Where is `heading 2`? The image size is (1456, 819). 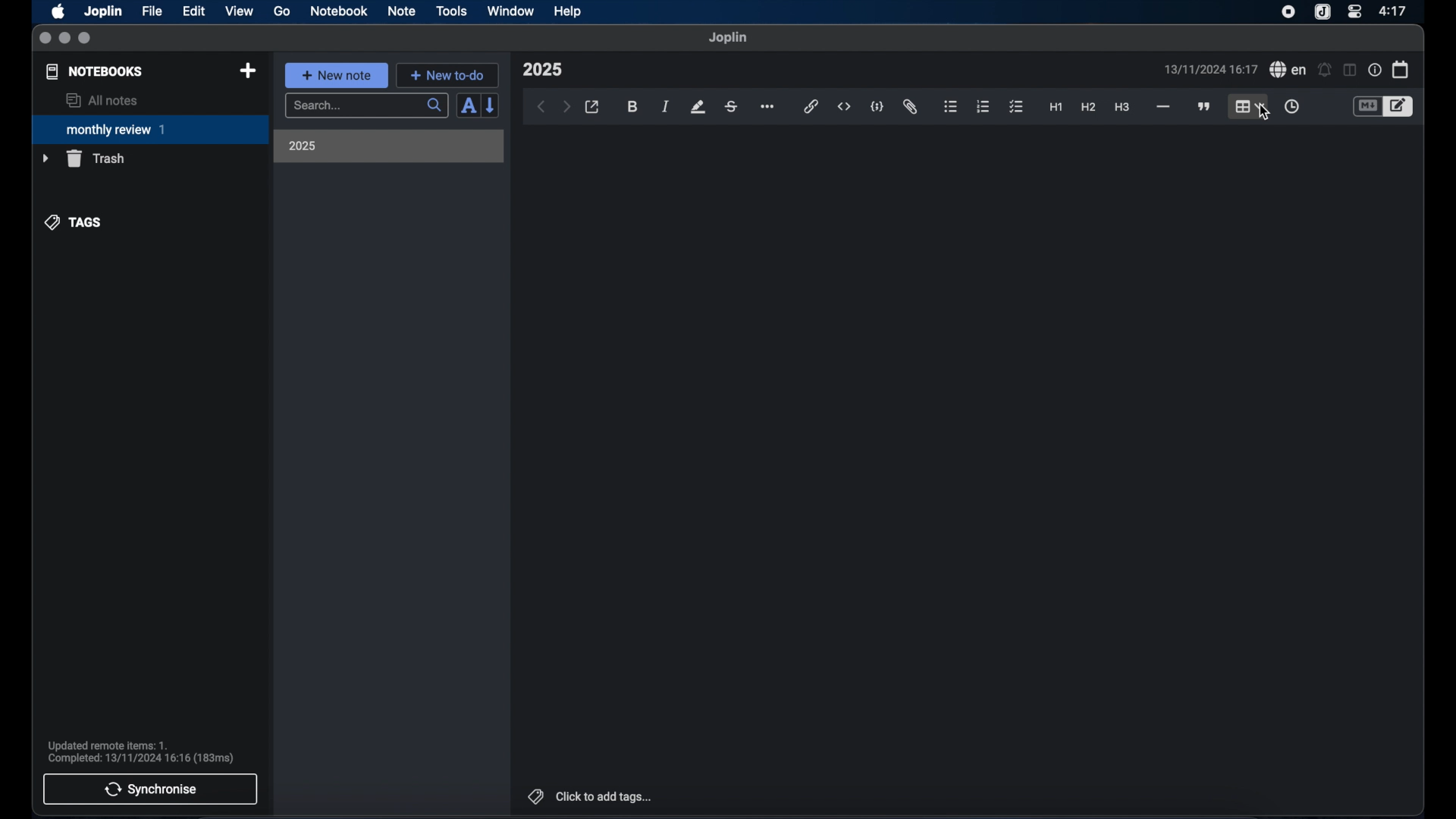
heading 2 is located at coordinates (1089, 108).